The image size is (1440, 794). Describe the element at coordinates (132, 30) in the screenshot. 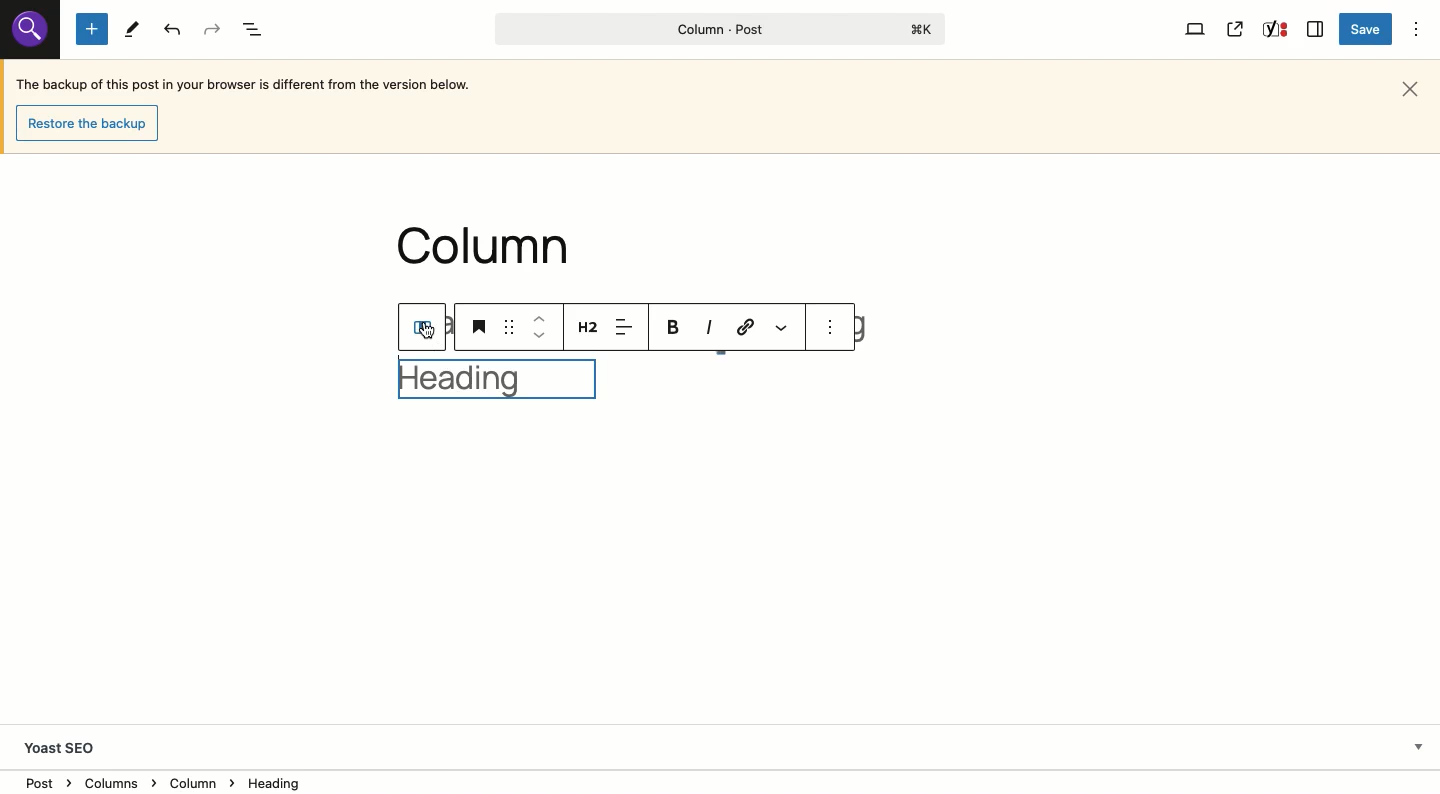

I see `Tools` at that location.